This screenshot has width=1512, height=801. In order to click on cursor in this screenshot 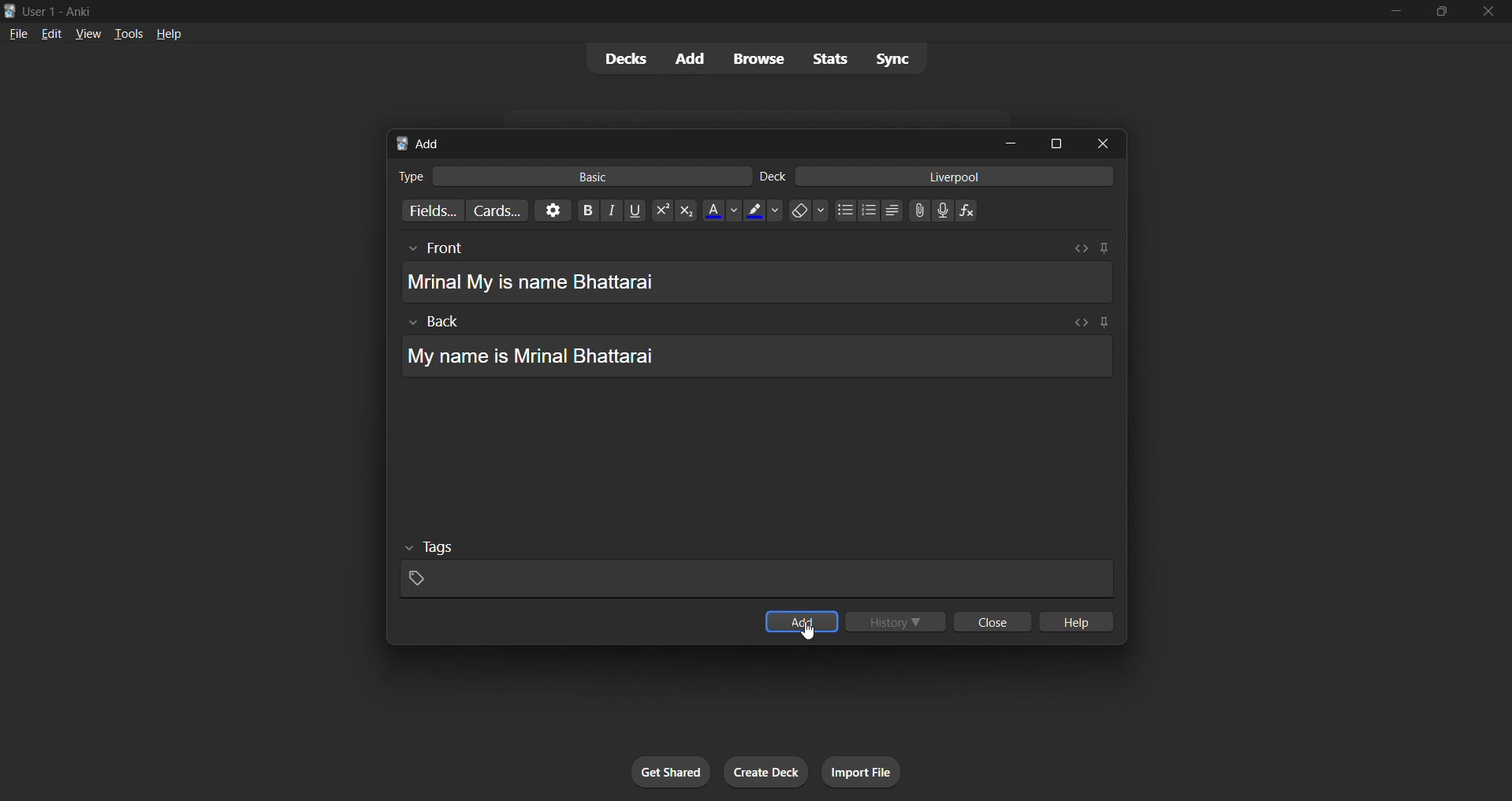, I will do `click(814, 640)`.